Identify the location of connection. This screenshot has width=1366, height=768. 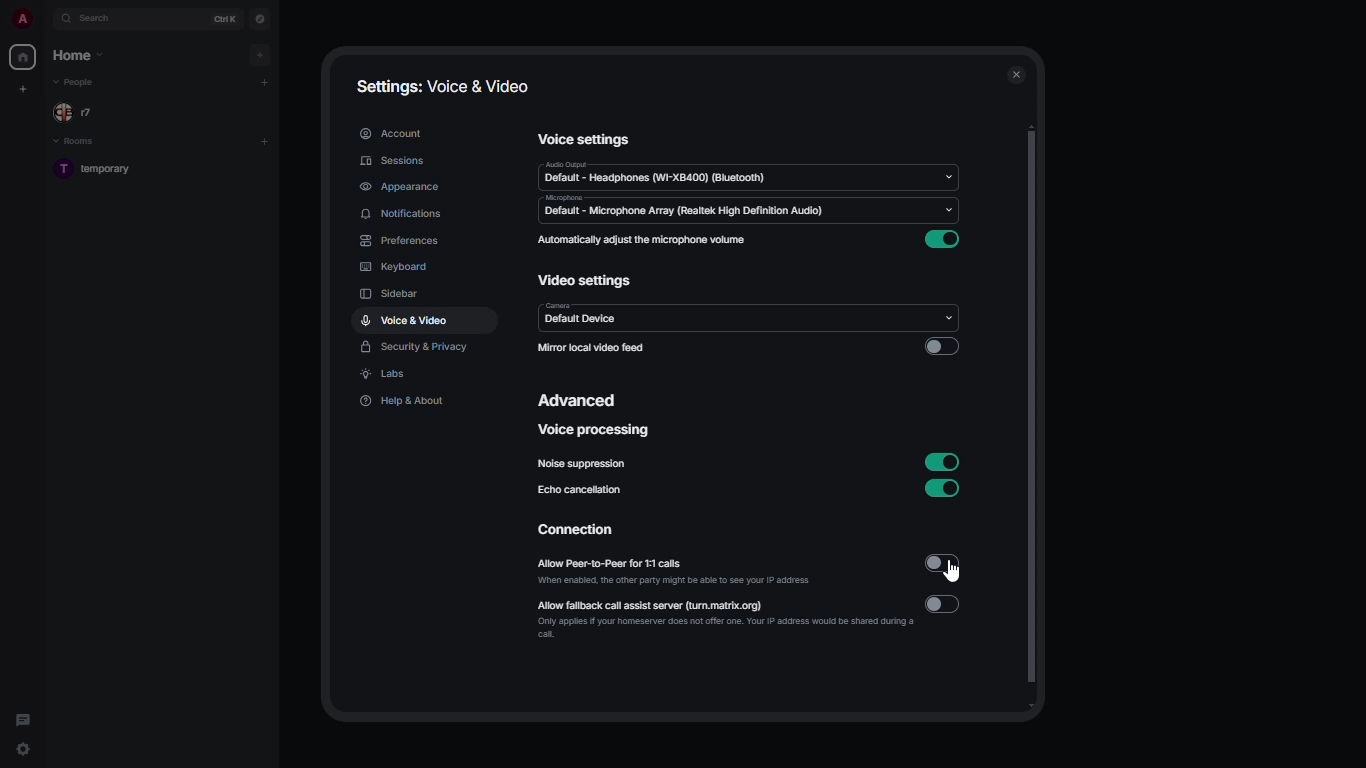
(580, 533).